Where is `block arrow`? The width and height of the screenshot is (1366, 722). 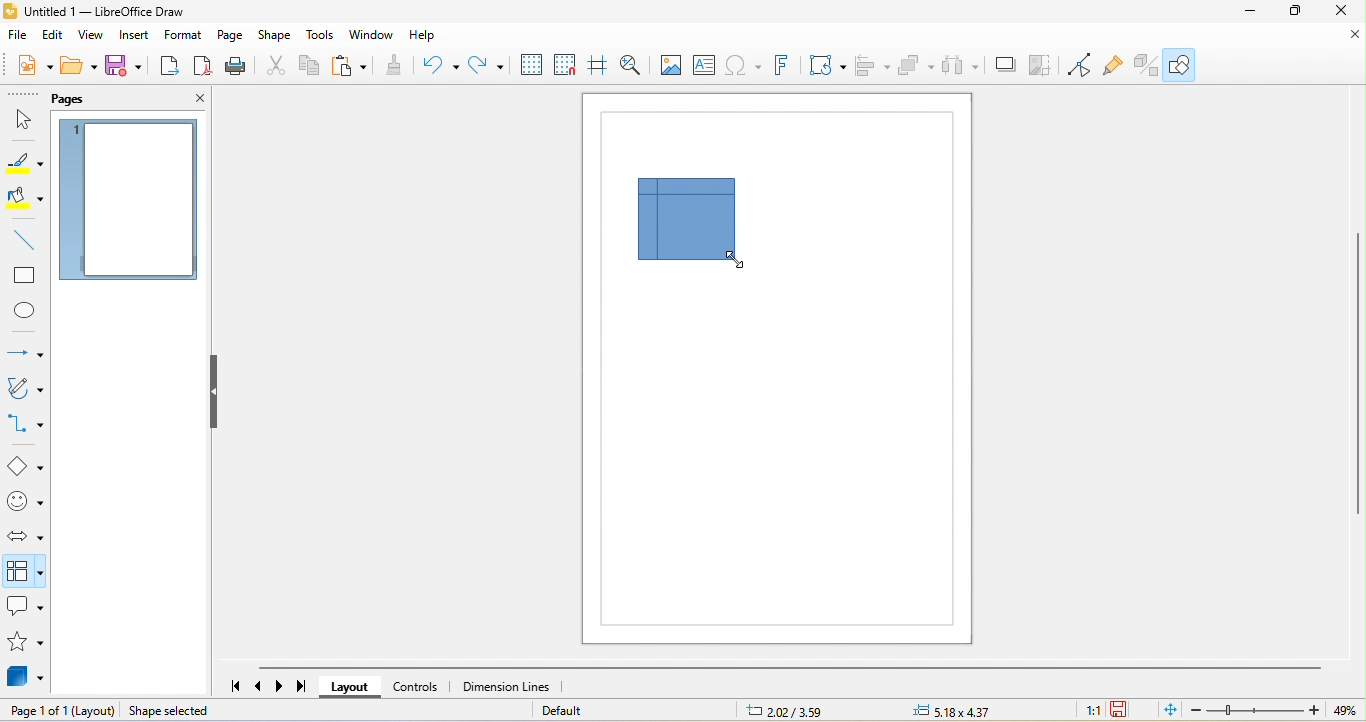
block arrow is located at coordinates (23, 536).